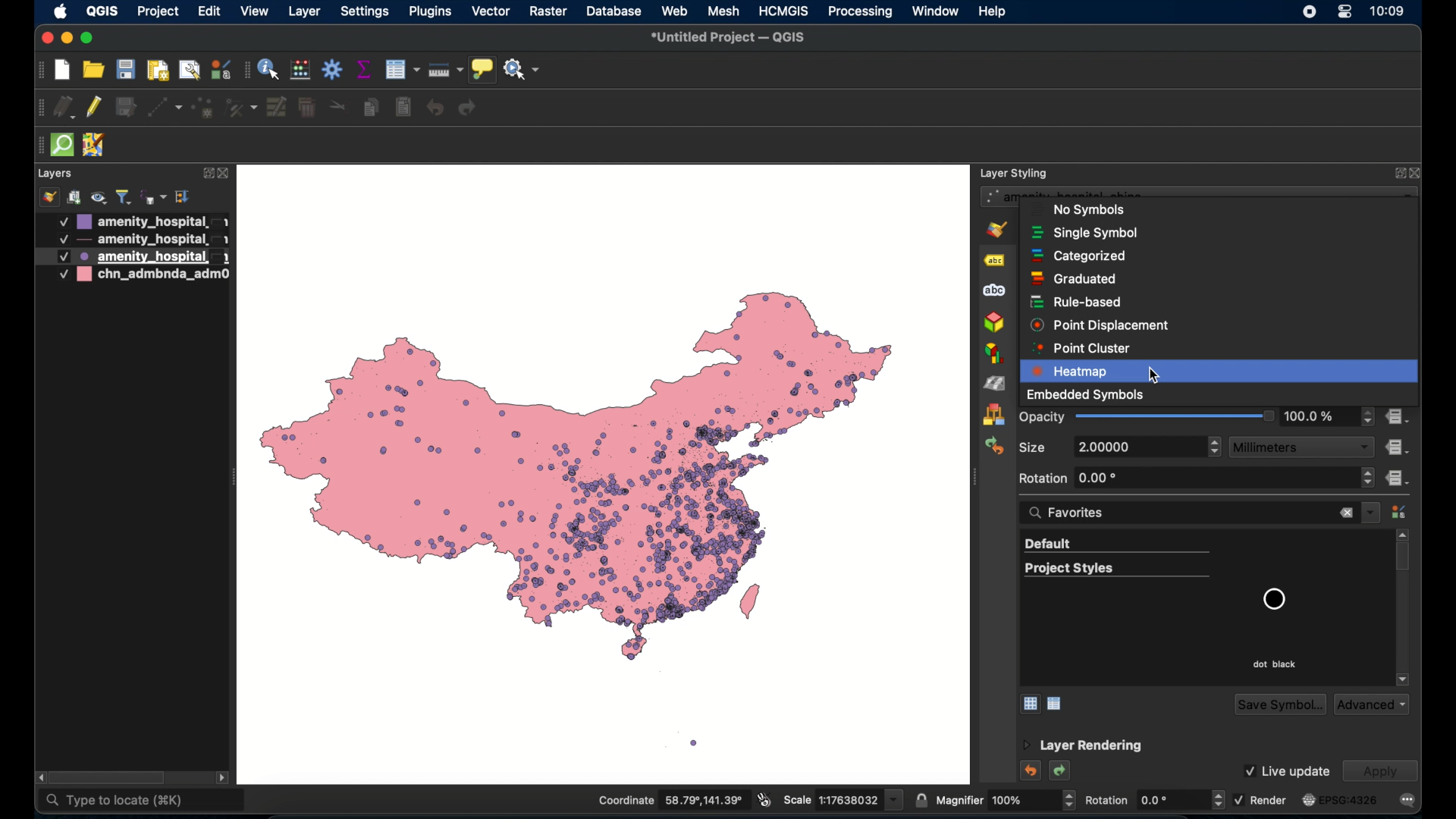 The height and width of the screenshot is (819, 1456). I want to click on icon view, so click(1028, 704).